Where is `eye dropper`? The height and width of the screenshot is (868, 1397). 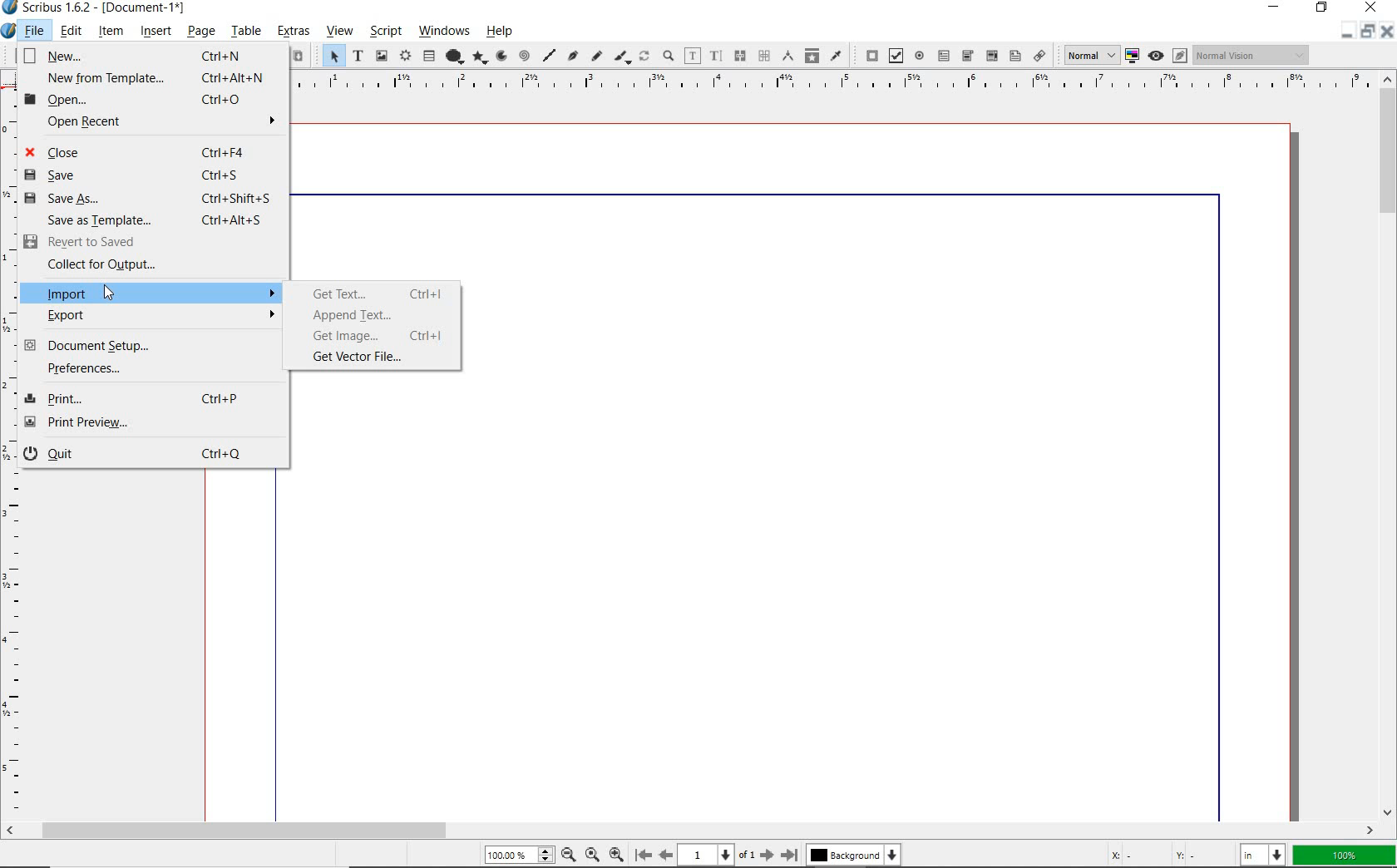 eye dropper is located at coordinates (836, 56).